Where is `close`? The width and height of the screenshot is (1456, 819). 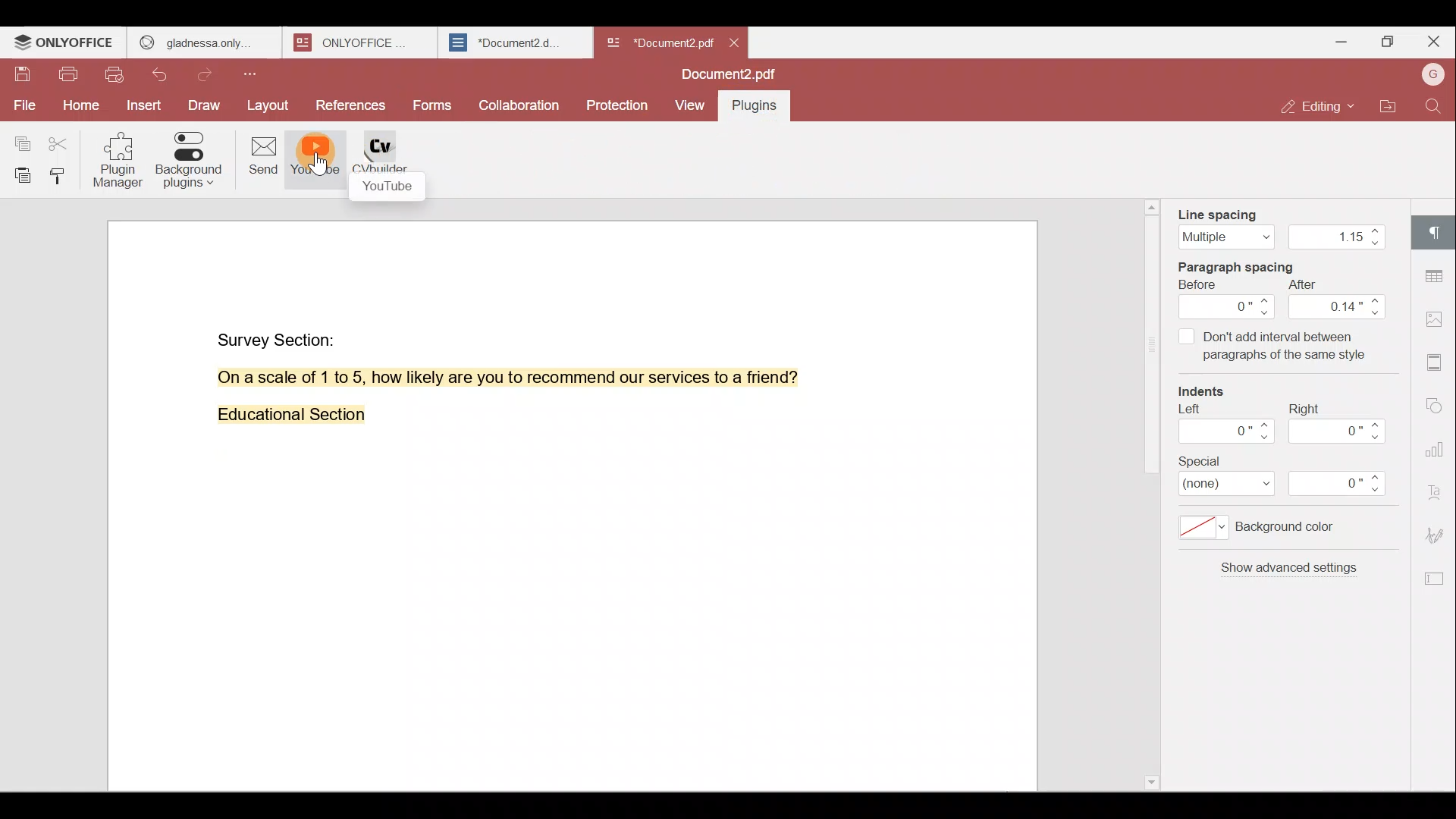 close is located at coordinates (734, 42).